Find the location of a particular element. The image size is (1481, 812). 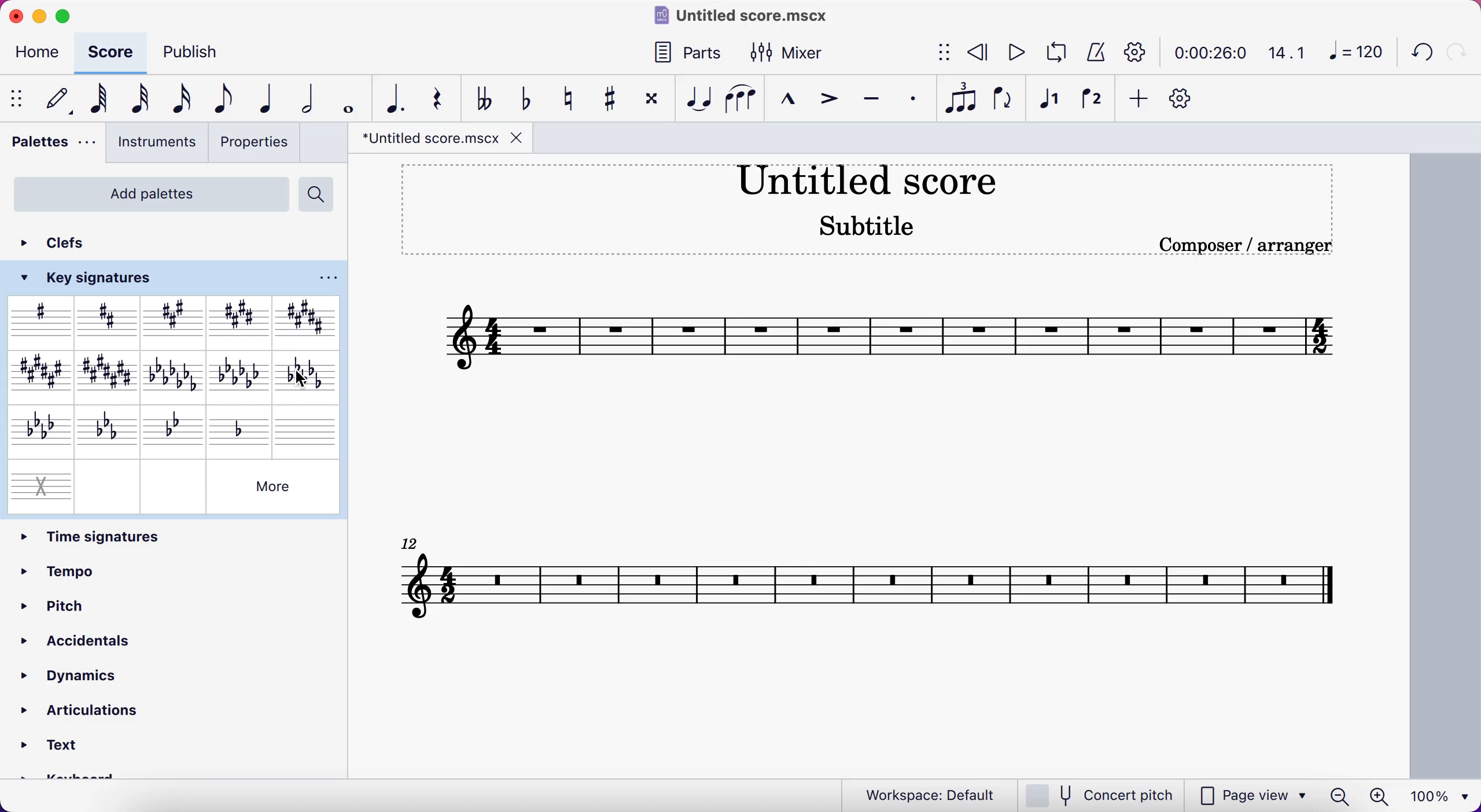

toggle flat is located at coordinates (529, 101).